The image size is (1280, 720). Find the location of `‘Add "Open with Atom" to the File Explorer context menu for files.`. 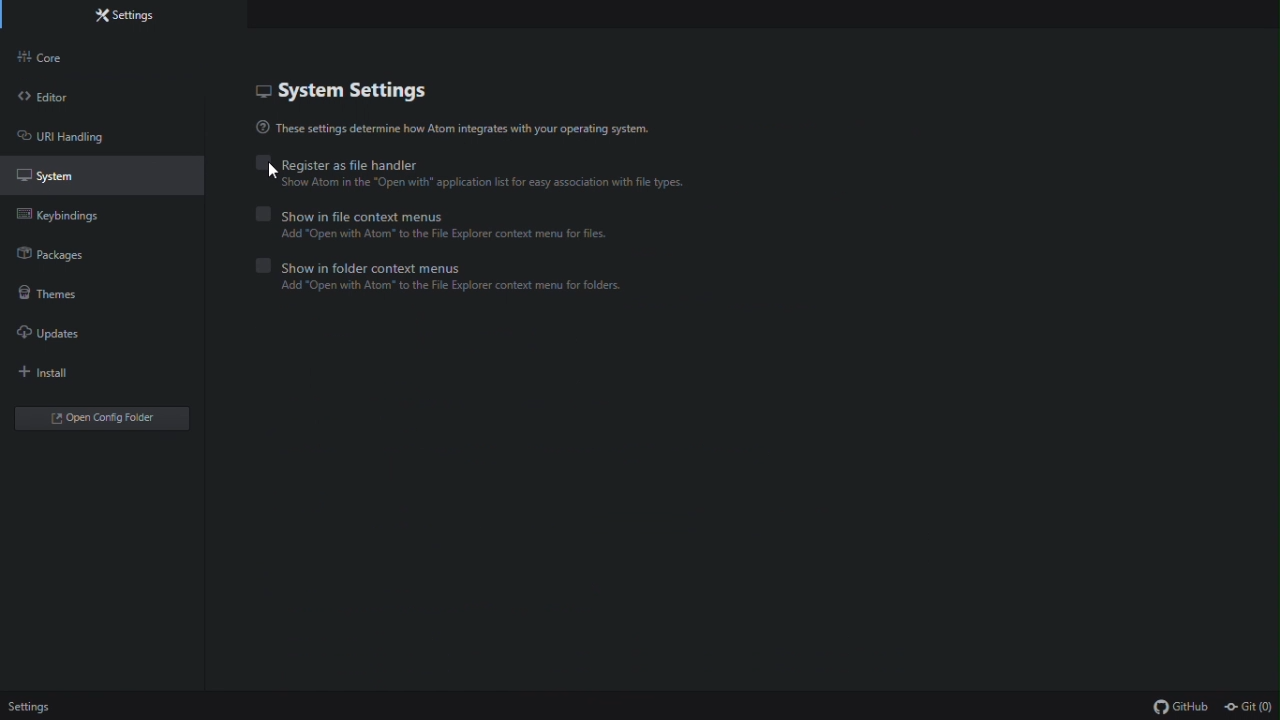

‘Add "Open with Atom" to the File Explorer context menu for files. is located at coordinates (457, 236).